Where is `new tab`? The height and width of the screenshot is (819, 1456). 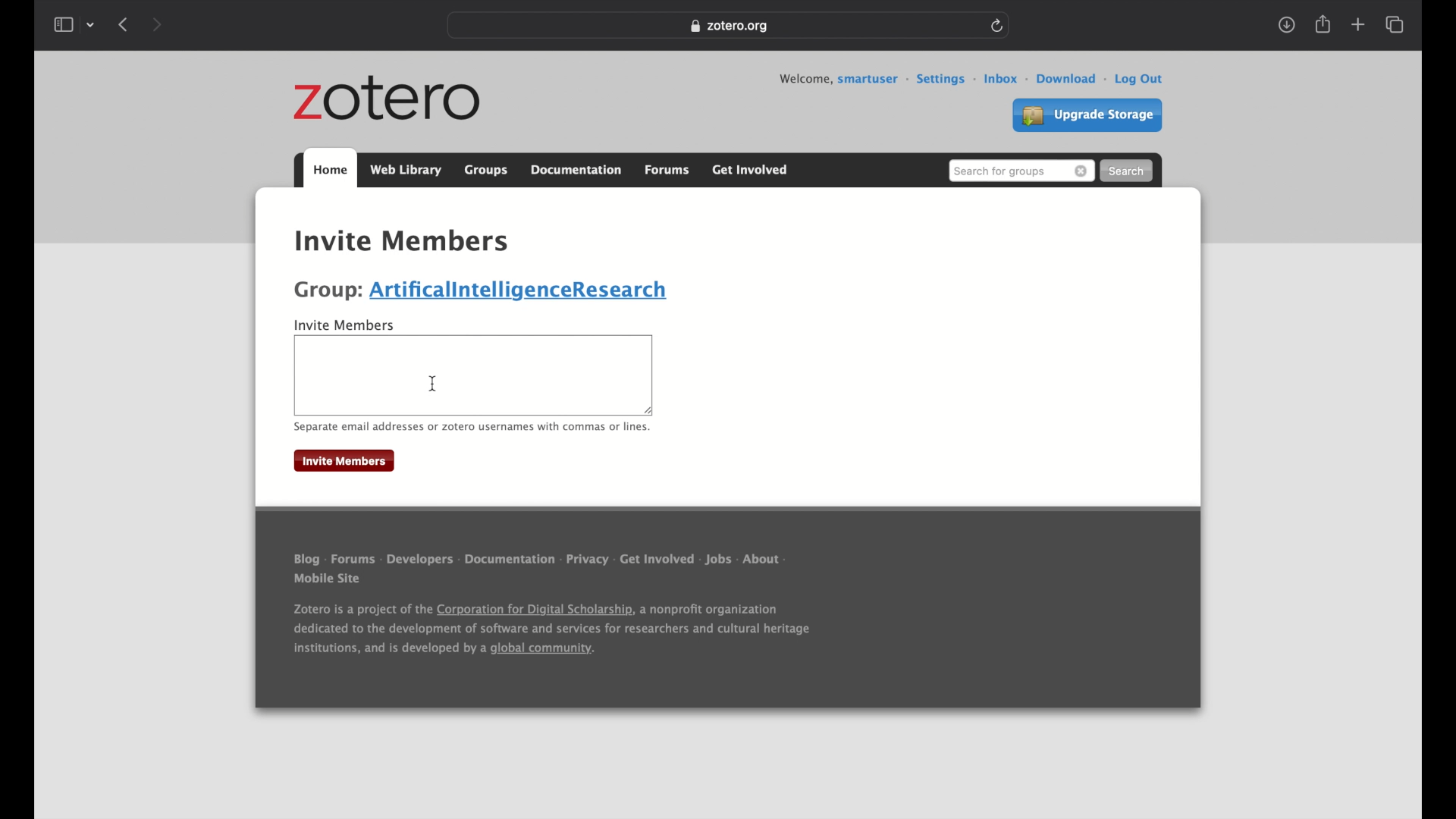 new tab is located at coordinates (1357, 25).